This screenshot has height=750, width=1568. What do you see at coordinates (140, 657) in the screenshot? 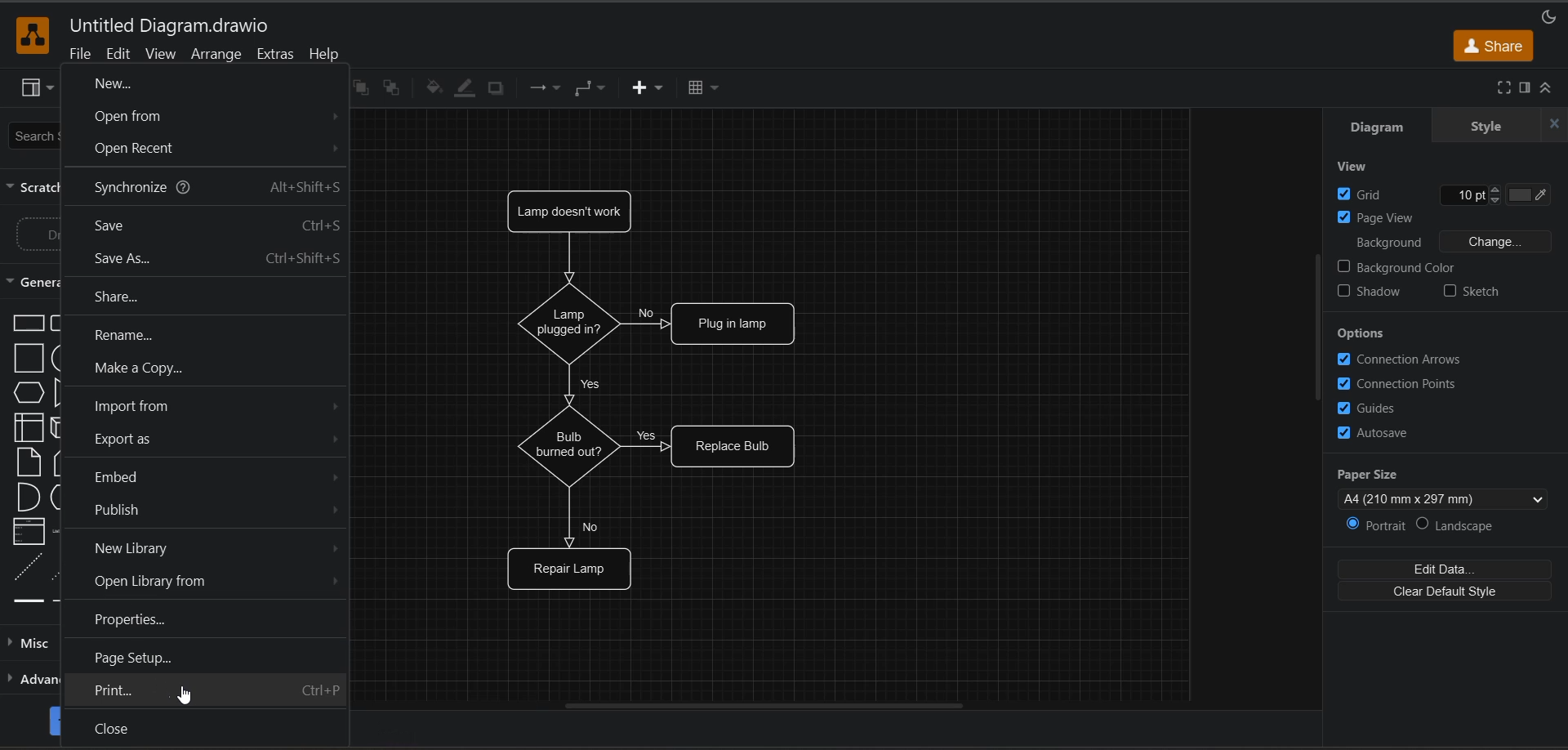
I see `page setup` at bounding box center [140, 657].